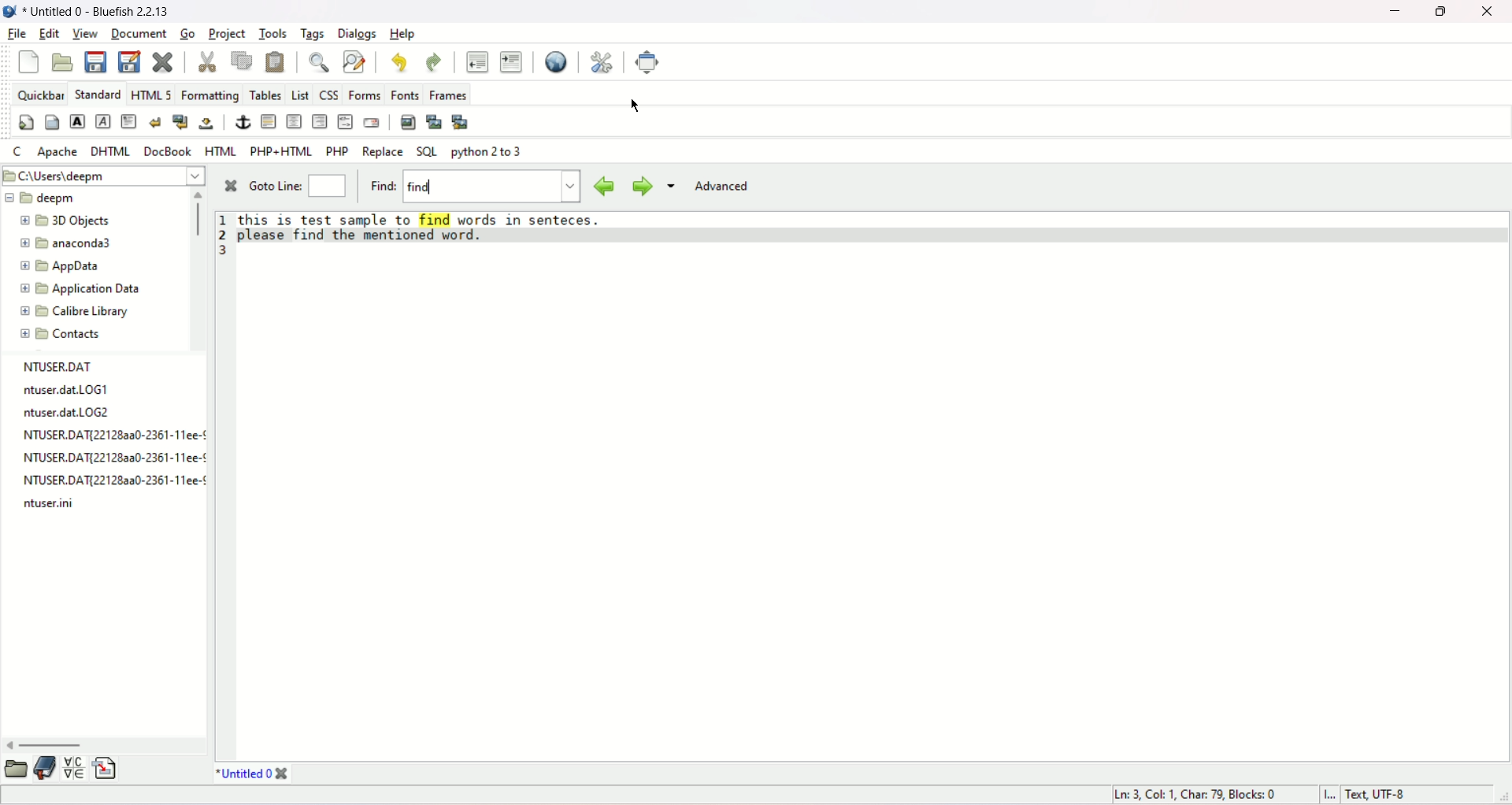  What do you see at coordinates (207, 124) in the screenshot?
I see `non-breaking space` at bounding box center [207, 124].